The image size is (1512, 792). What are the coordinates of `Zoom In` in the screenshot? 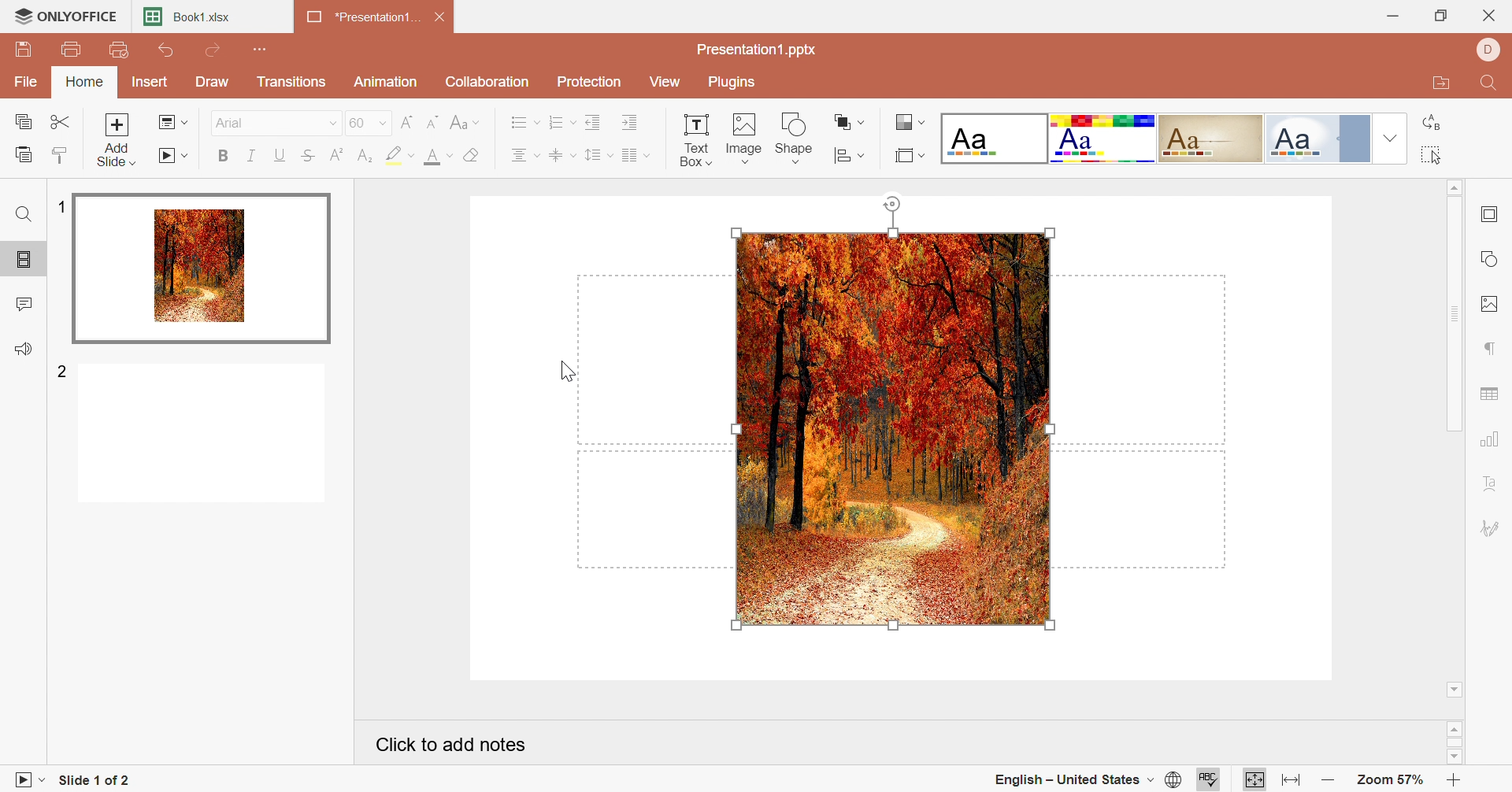 It's located at (1455, 779).